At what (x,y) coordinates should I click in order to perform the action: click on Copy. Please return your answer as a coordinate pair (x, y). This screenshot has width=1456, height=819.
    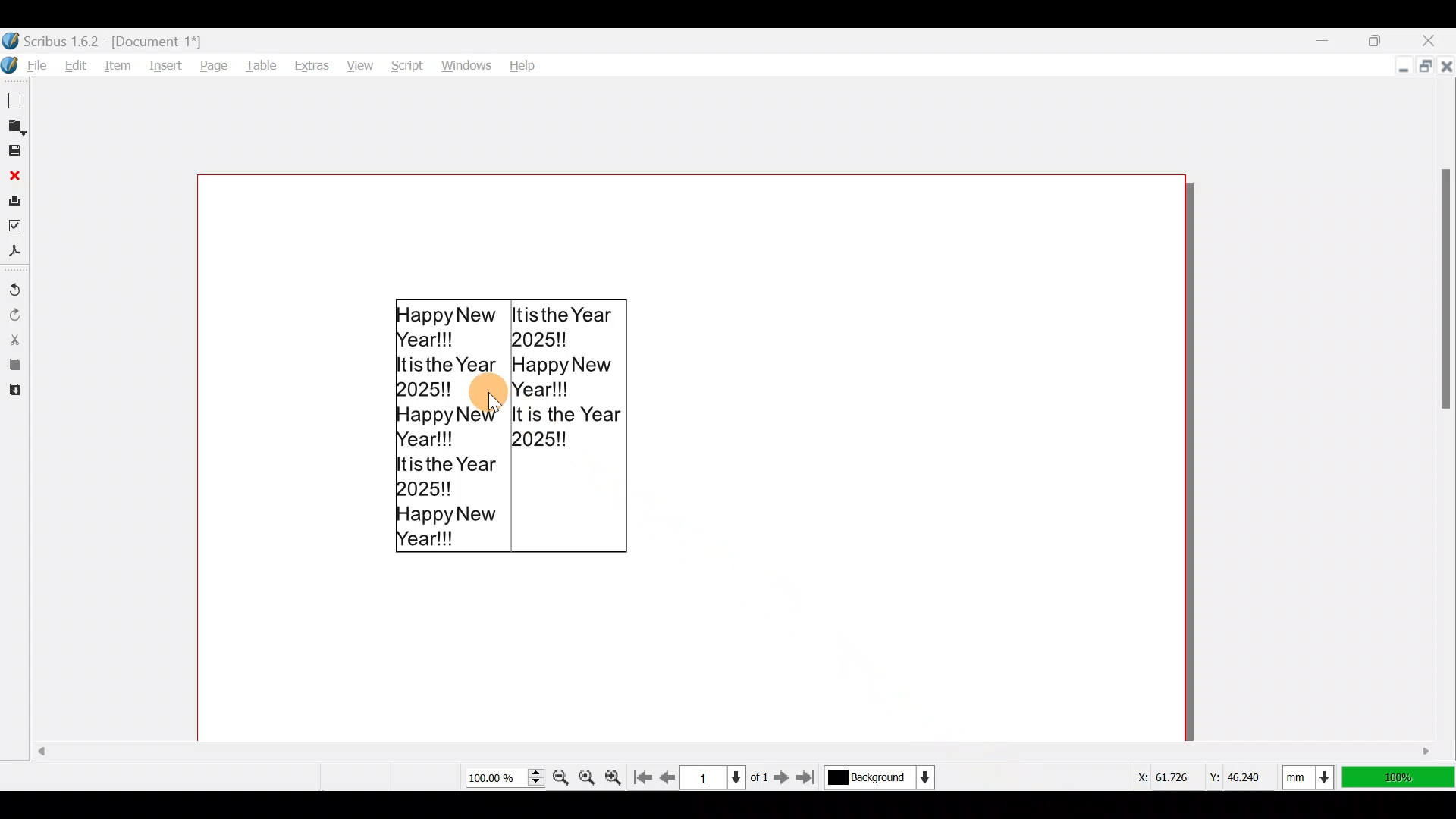
    Looking at the image, I should click on (13, 366).